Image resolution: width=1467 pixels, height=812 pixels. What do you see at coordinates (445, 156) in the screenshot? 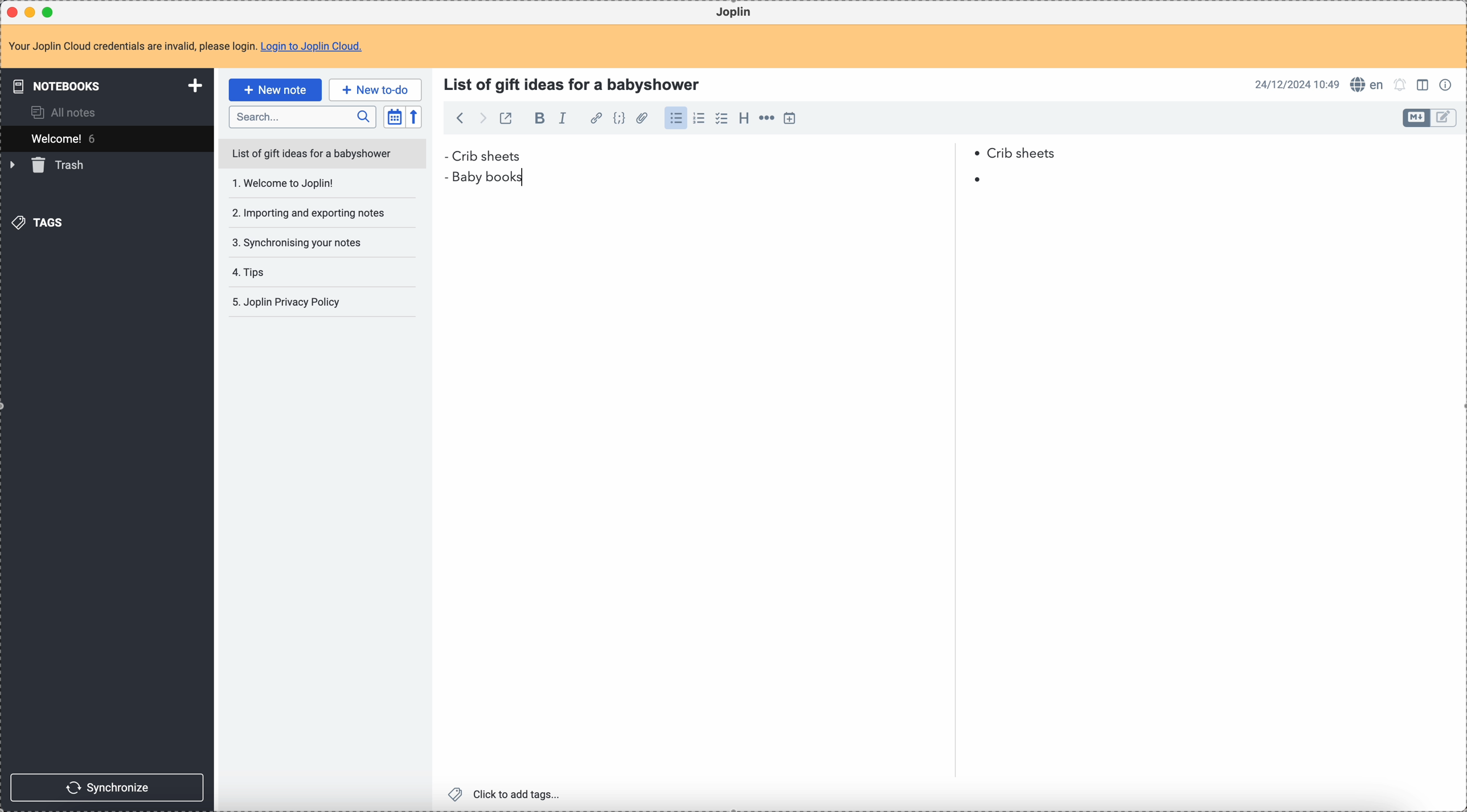
I see `bullet point` at bounding box center [445, 156].